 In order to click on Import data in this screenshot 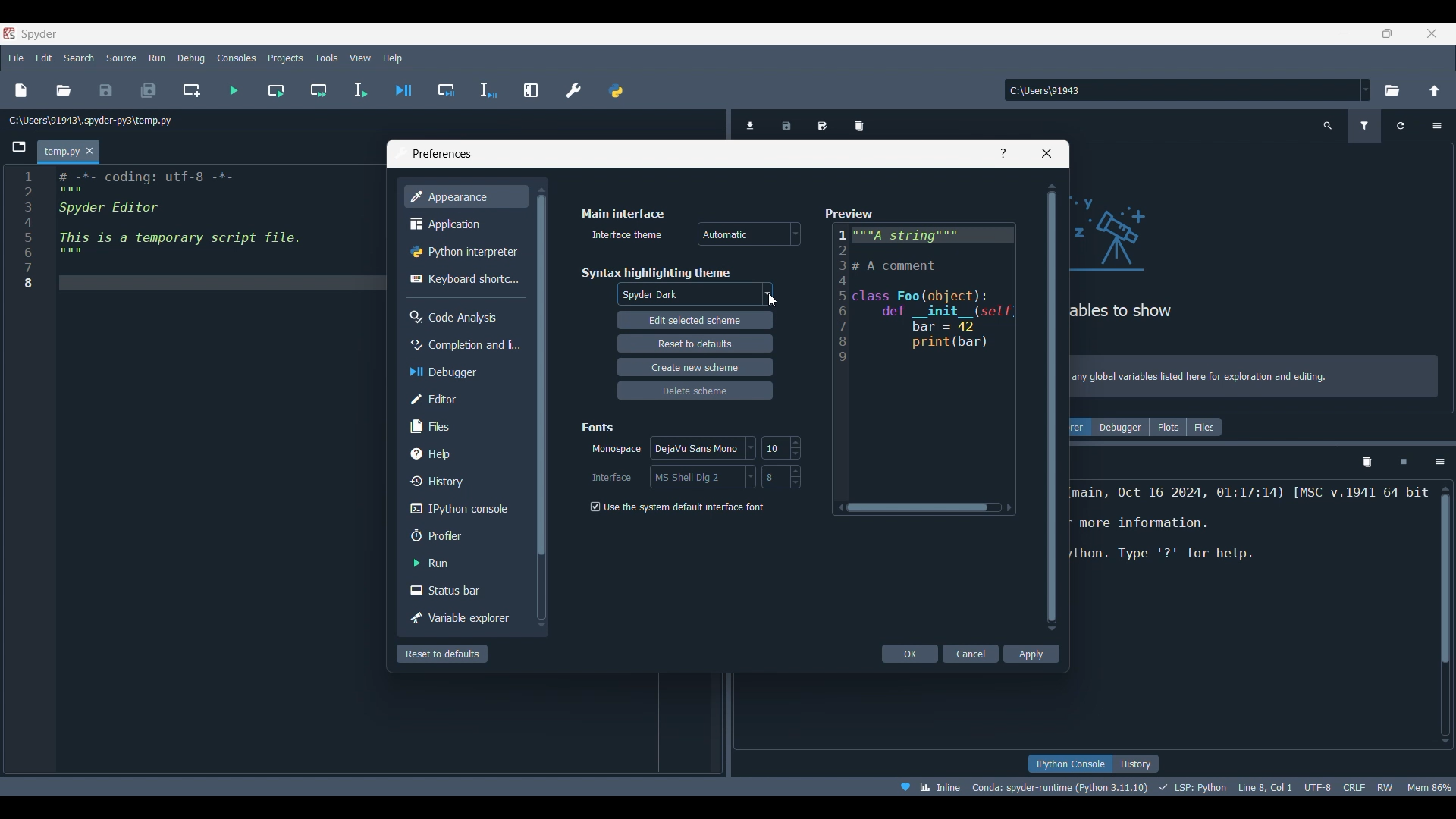, I will do `click(753, 124)`.